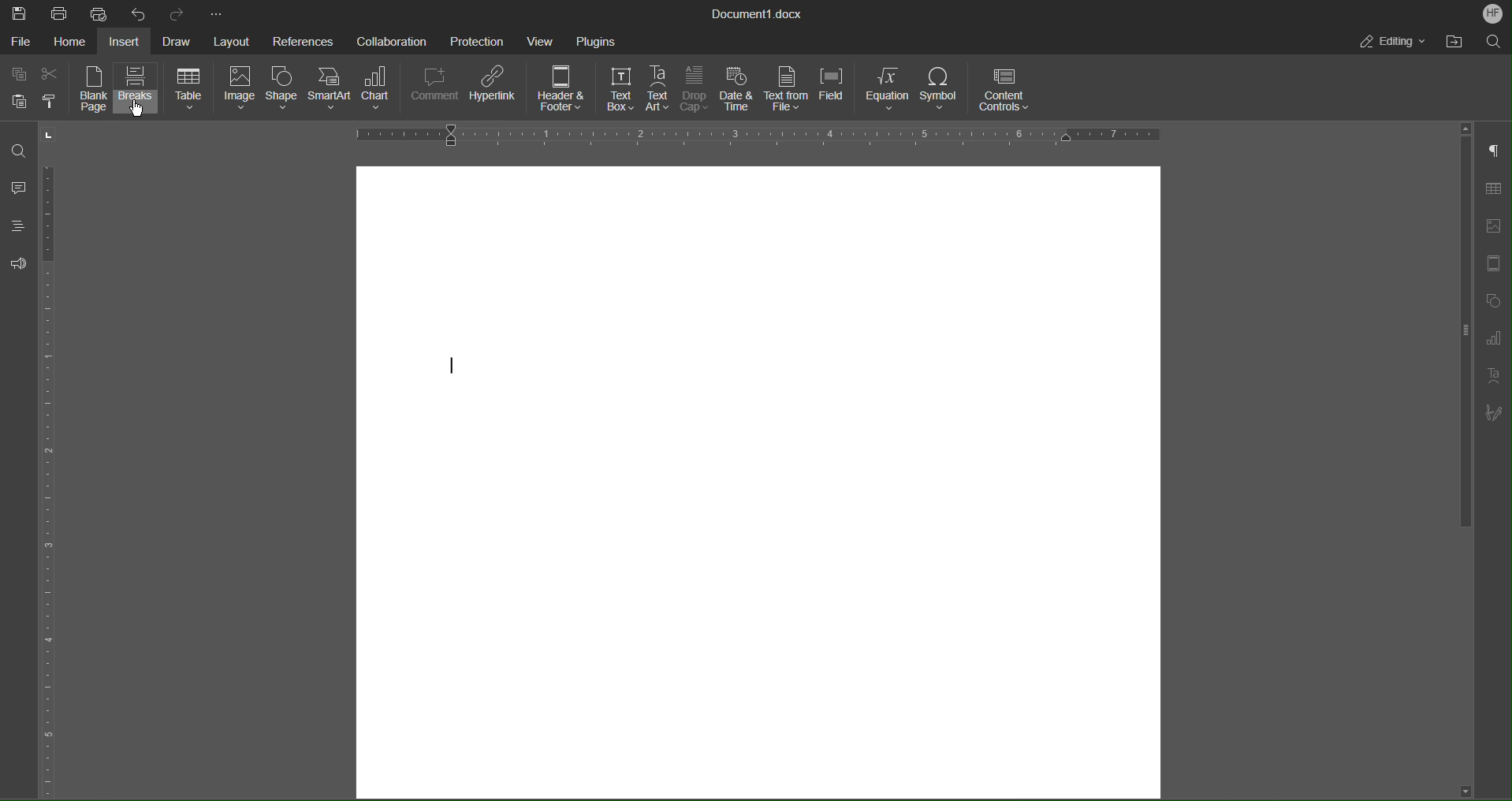  I want to click on Hyperlink, so click(497, 91).